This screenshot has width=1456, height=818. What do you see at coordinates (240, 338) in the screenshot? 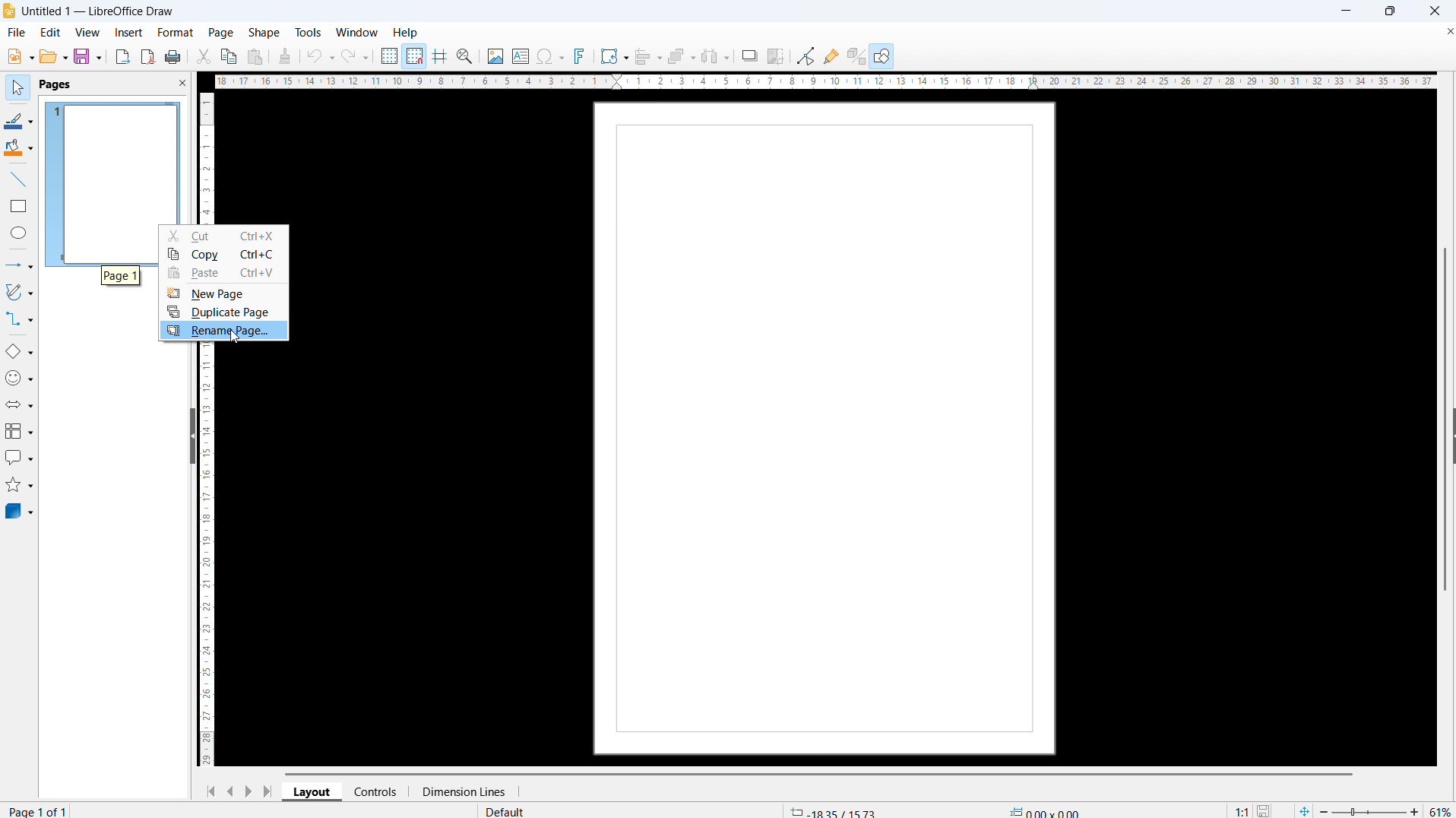
I see `cursor` at bounding box center [240, 338].